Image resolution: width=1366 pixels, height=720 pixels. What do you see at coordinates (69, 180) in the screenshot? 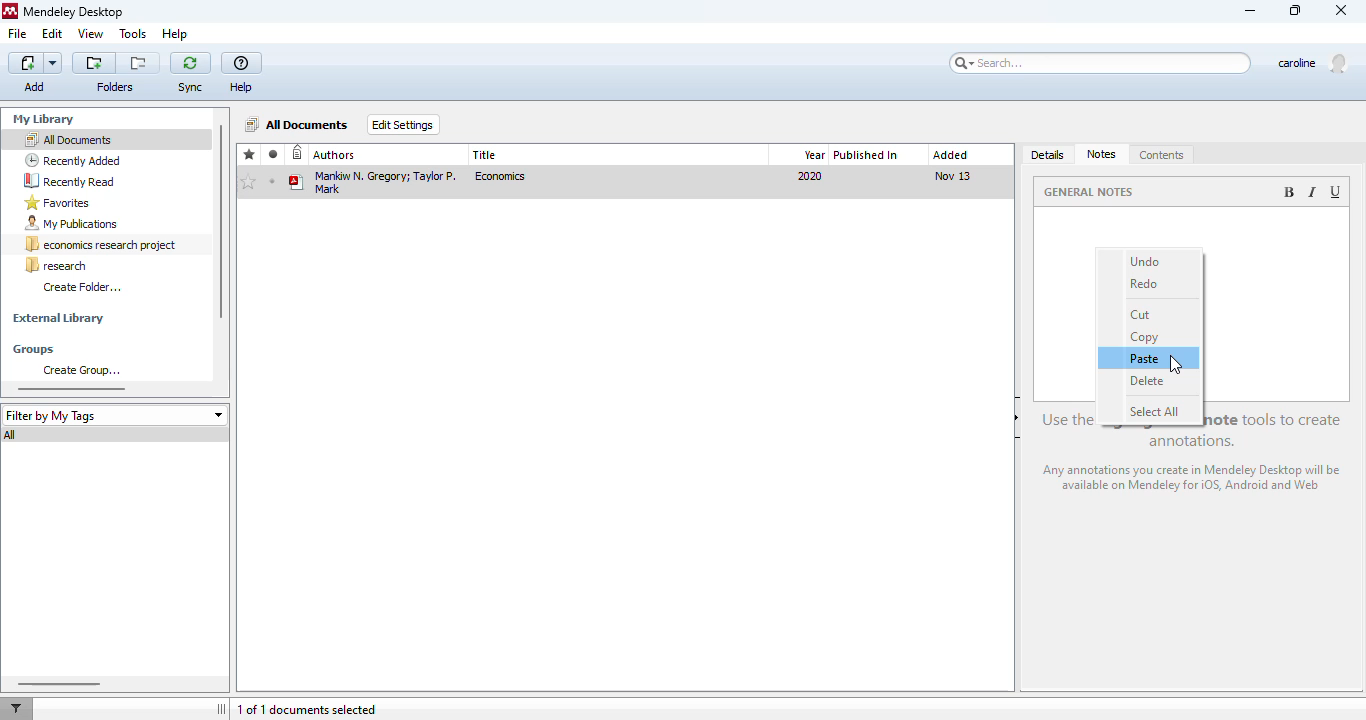
I see `recently read` at bounding box center [69, 180].